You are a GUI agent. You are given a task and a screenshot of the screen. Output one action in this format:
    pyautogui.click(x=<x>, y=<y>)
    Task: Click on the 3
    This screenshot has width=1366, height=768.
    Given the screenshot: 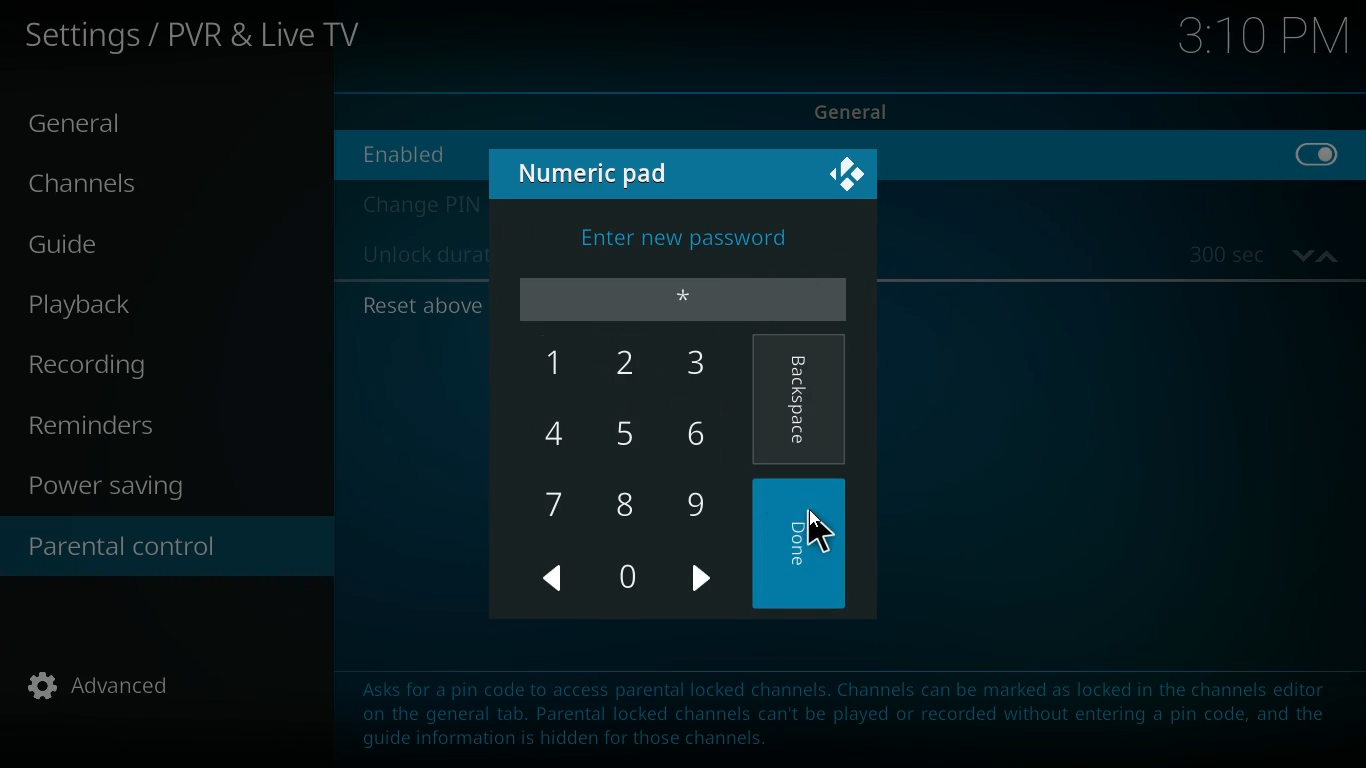 What is the action you would take?
    pyautogui.click(x=699, y=363)
    